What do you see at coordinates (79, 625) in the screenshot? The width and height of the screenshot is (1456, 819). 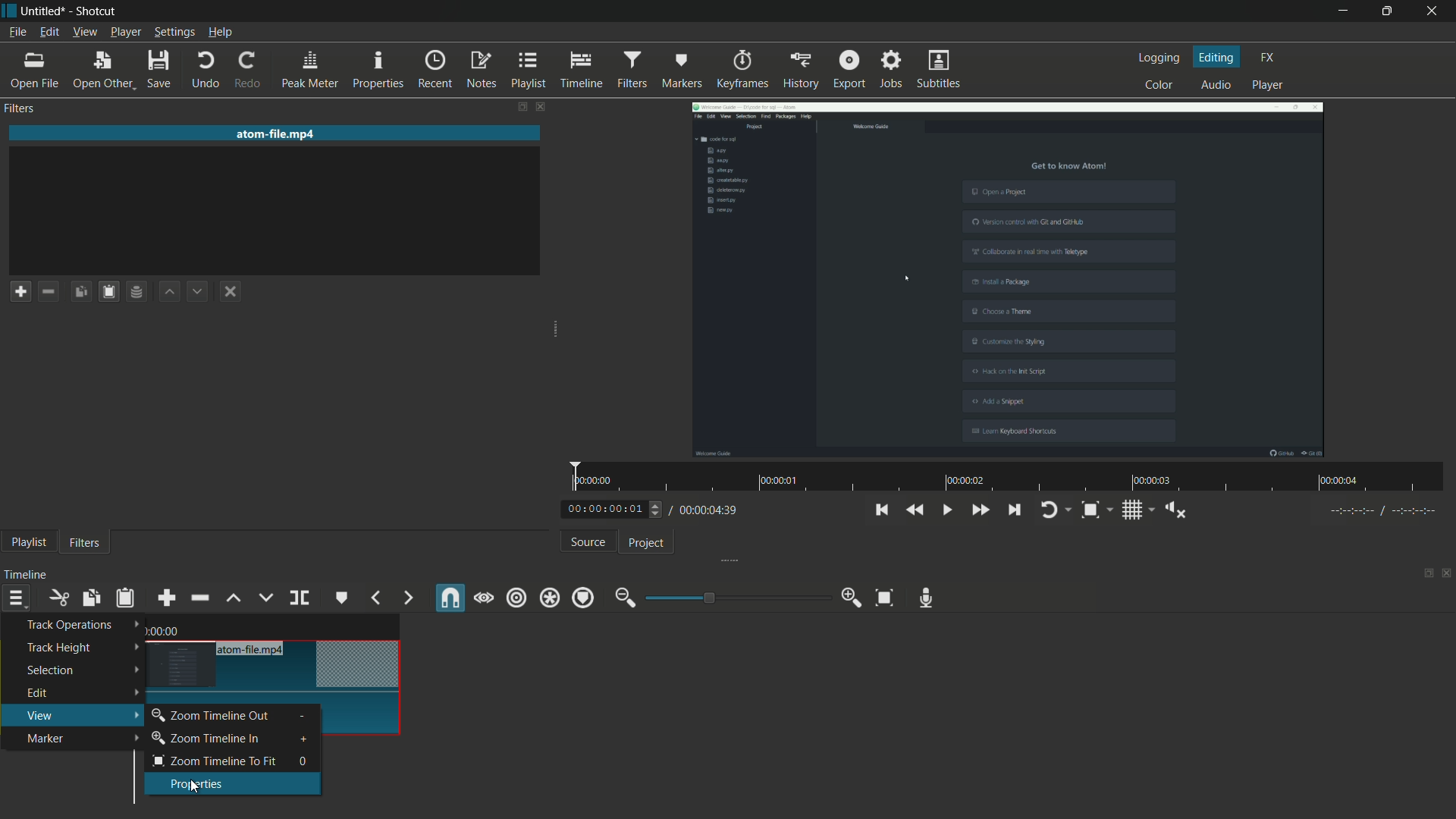 I see `track operations` at bounding box center [79, 625].